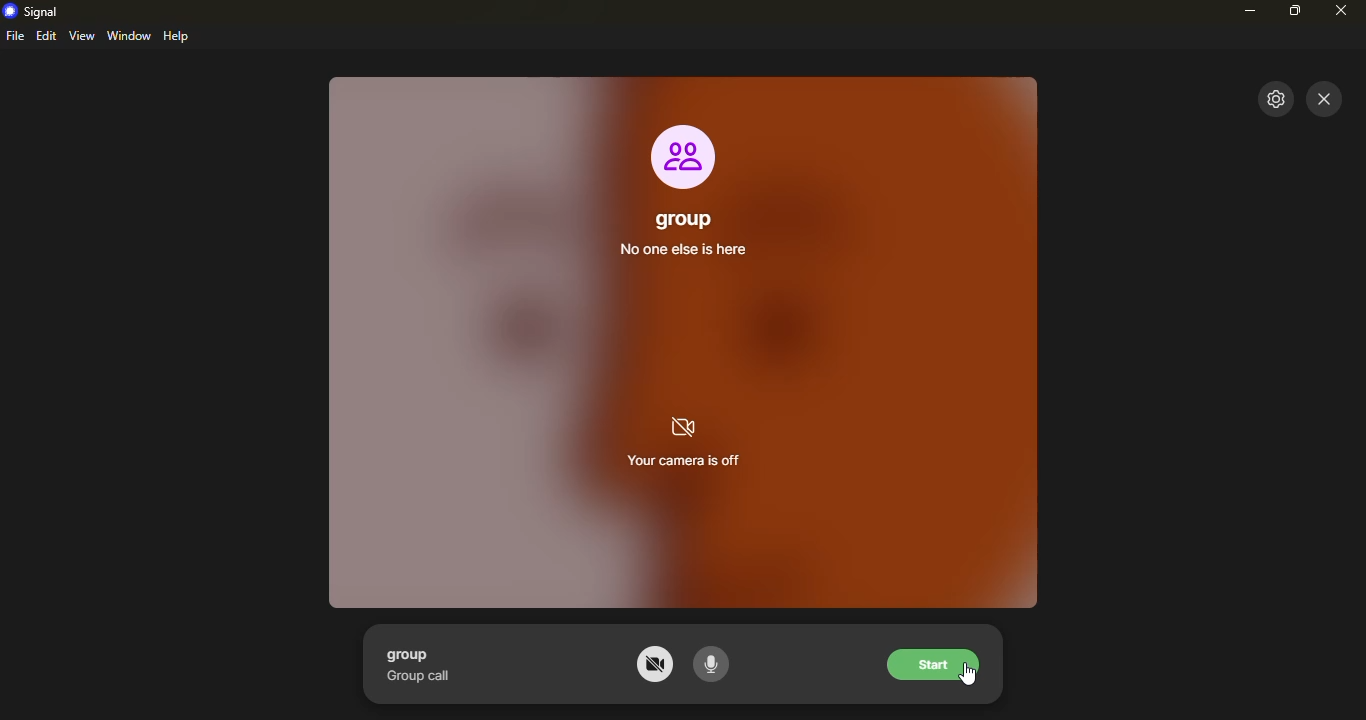 Image resolution: width=1366 pixels, height=720 pixels. What do you see at coordinates (677, 213) in the screenshot?
I see `group` at bounding box center [677, 213].